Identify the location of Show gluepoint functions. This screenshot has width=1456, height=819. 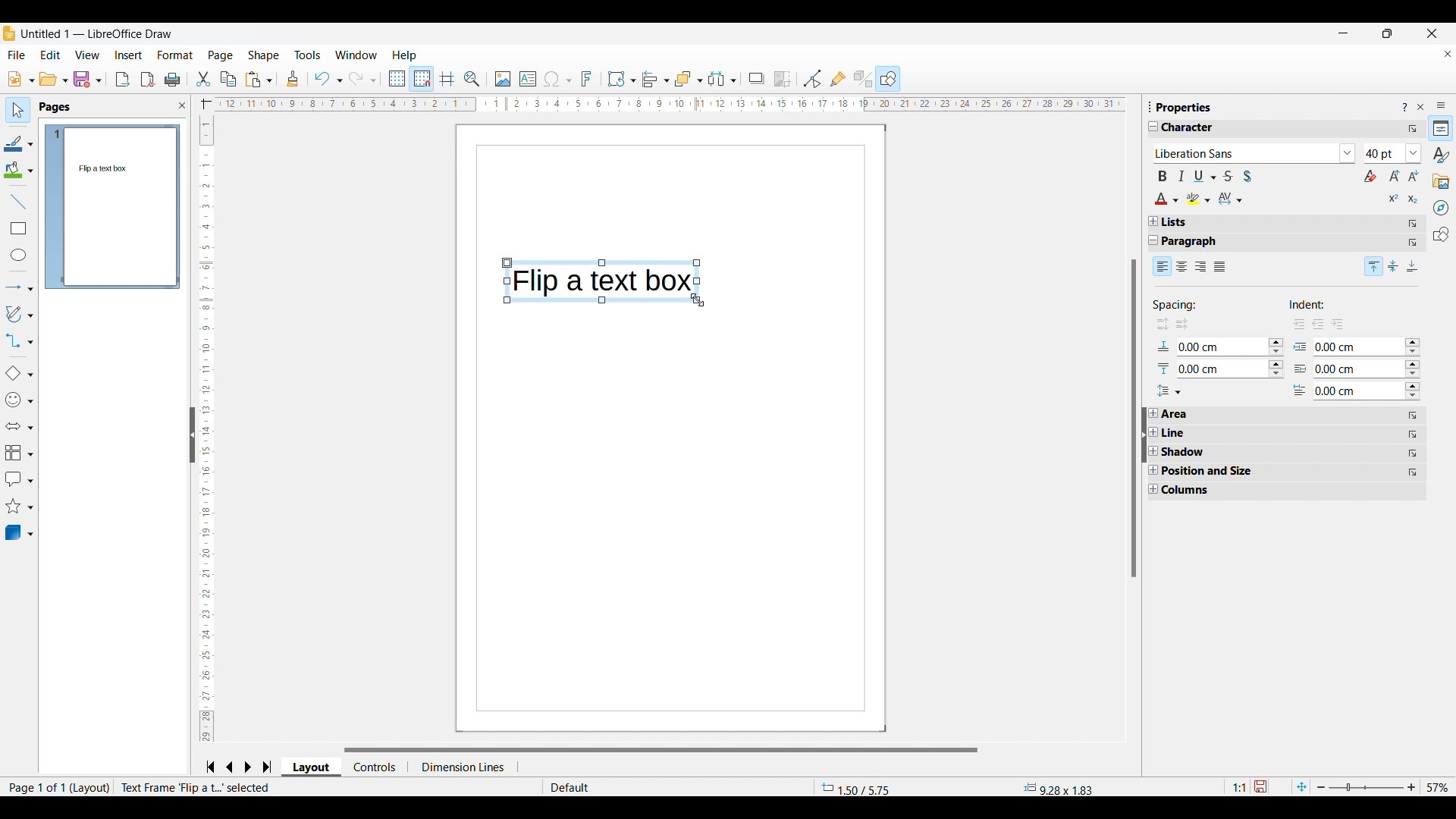
(839, 79).